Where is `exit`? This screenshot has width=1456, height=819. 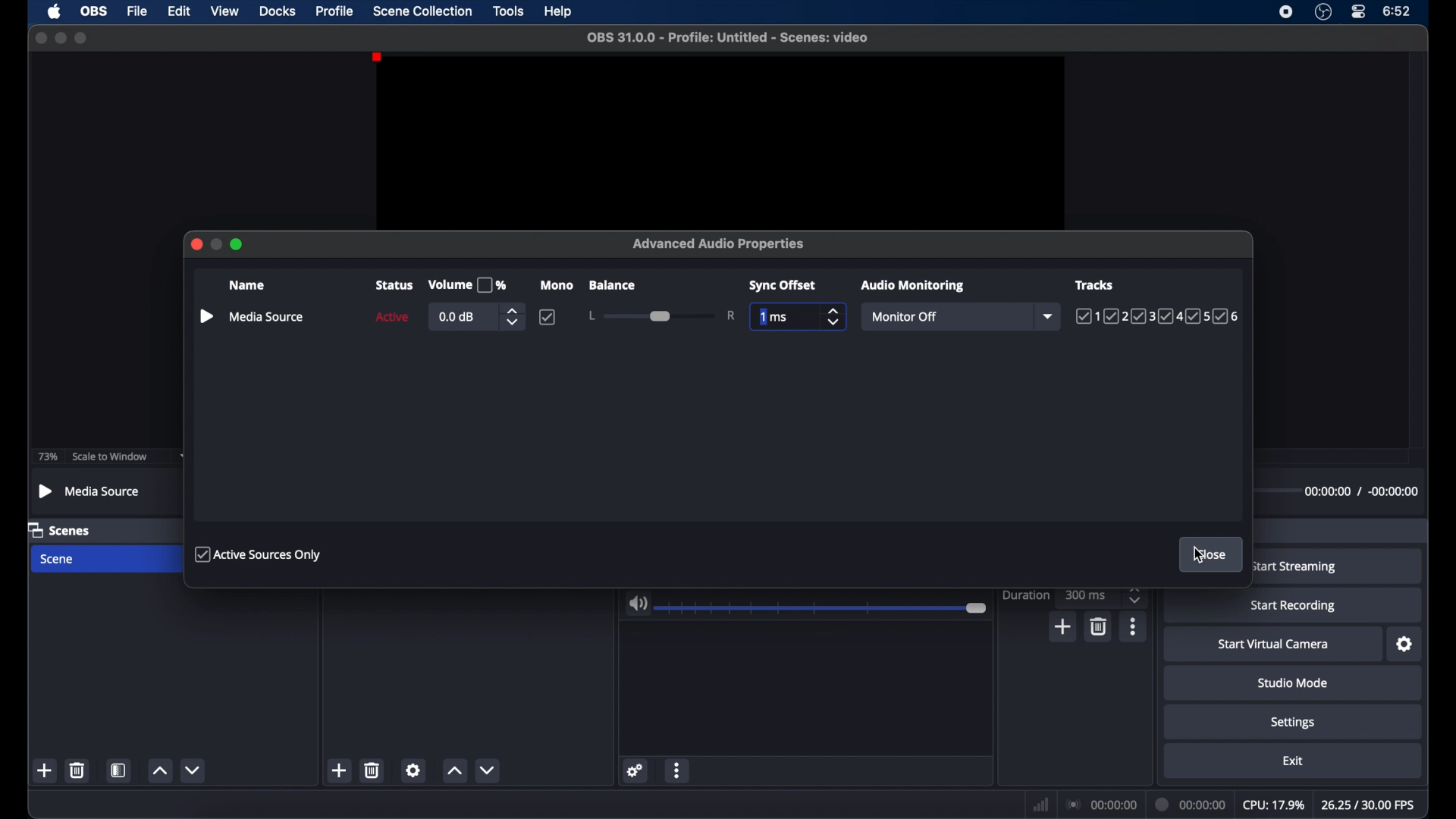
exit is located at coordinates (1293, 762).